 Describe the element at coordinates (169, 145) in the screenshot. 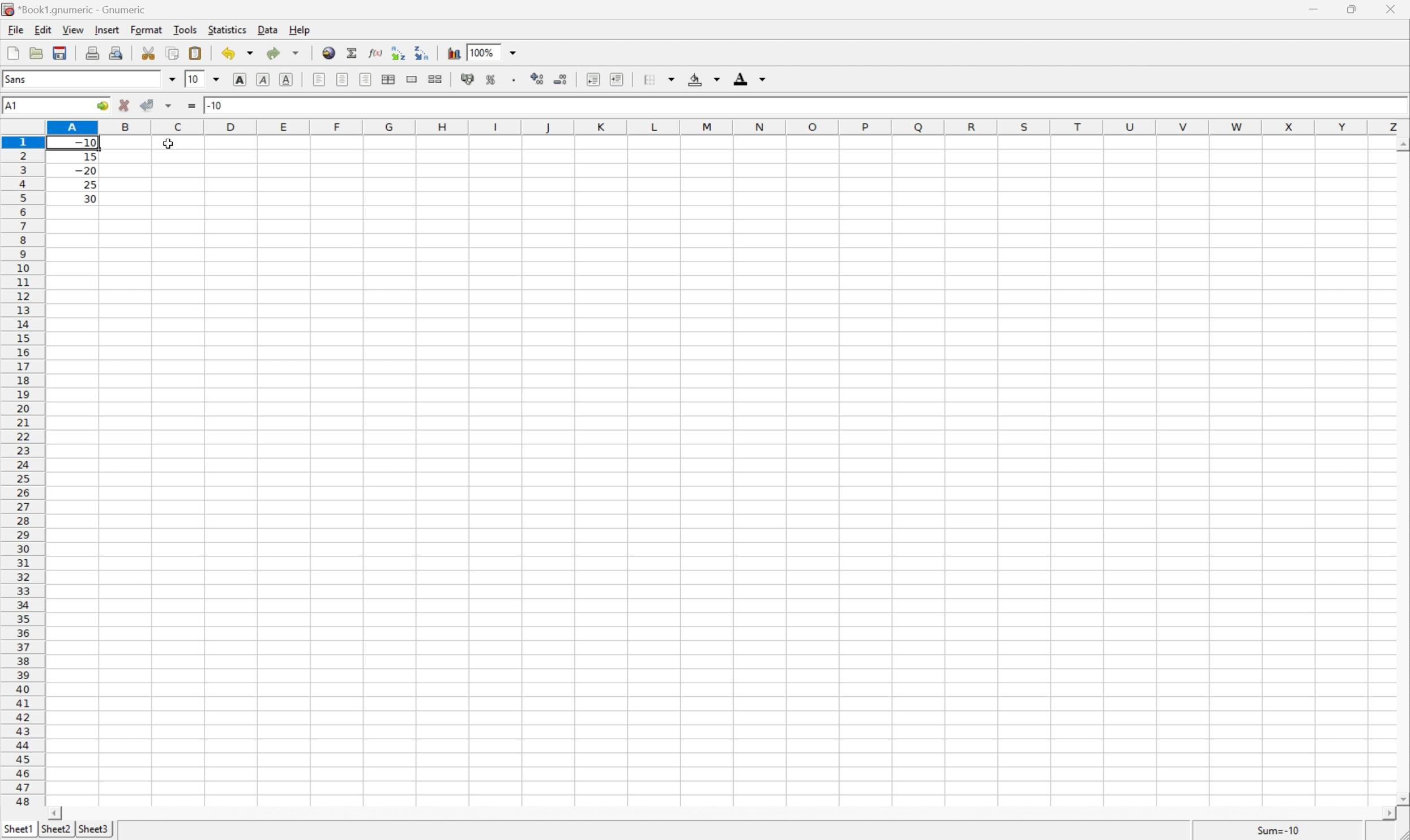

I see `Cursor` at that location.